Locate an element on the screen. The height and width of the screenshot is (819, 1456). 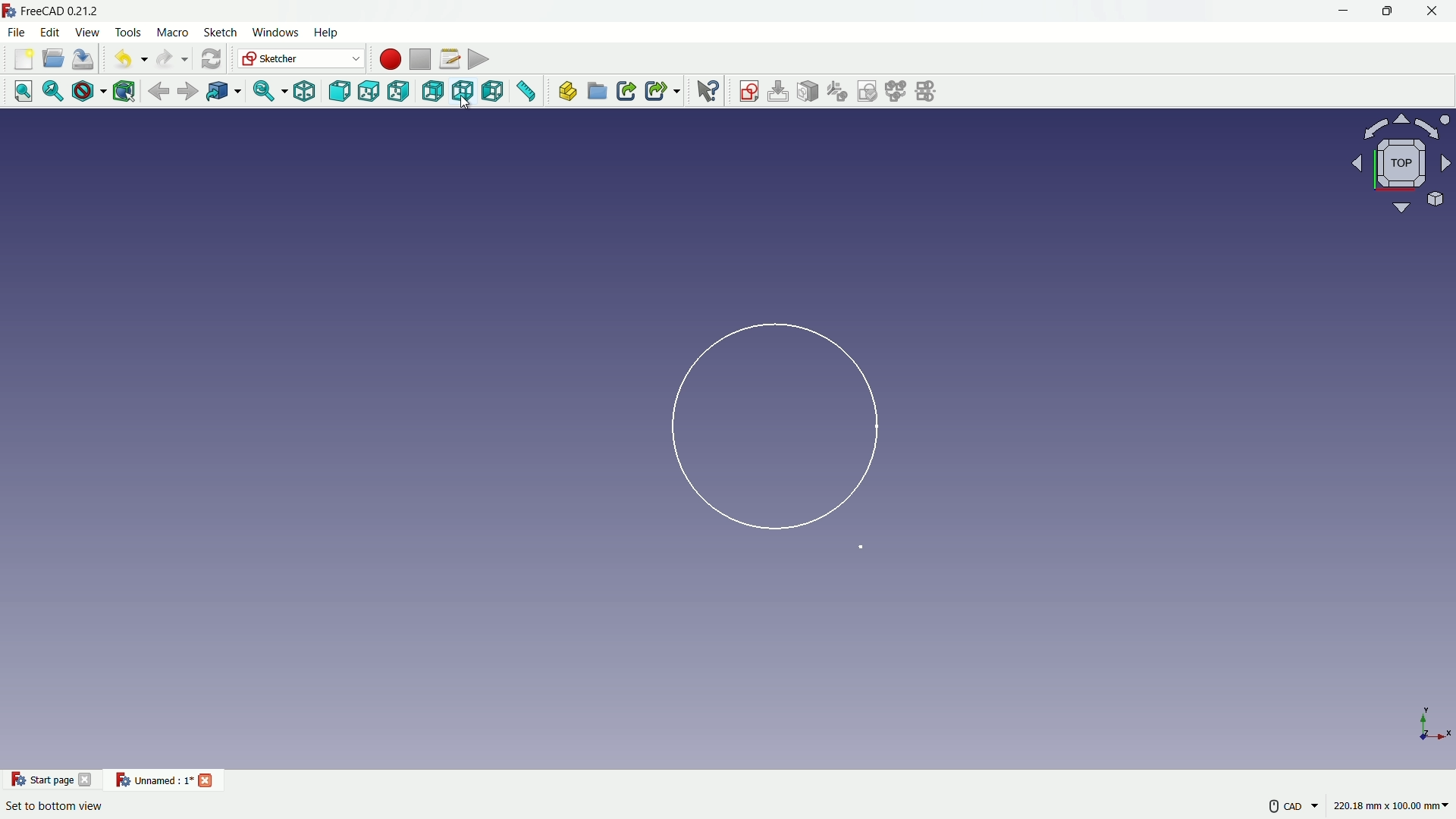
sketch menu is located at coordinates (222, 34).